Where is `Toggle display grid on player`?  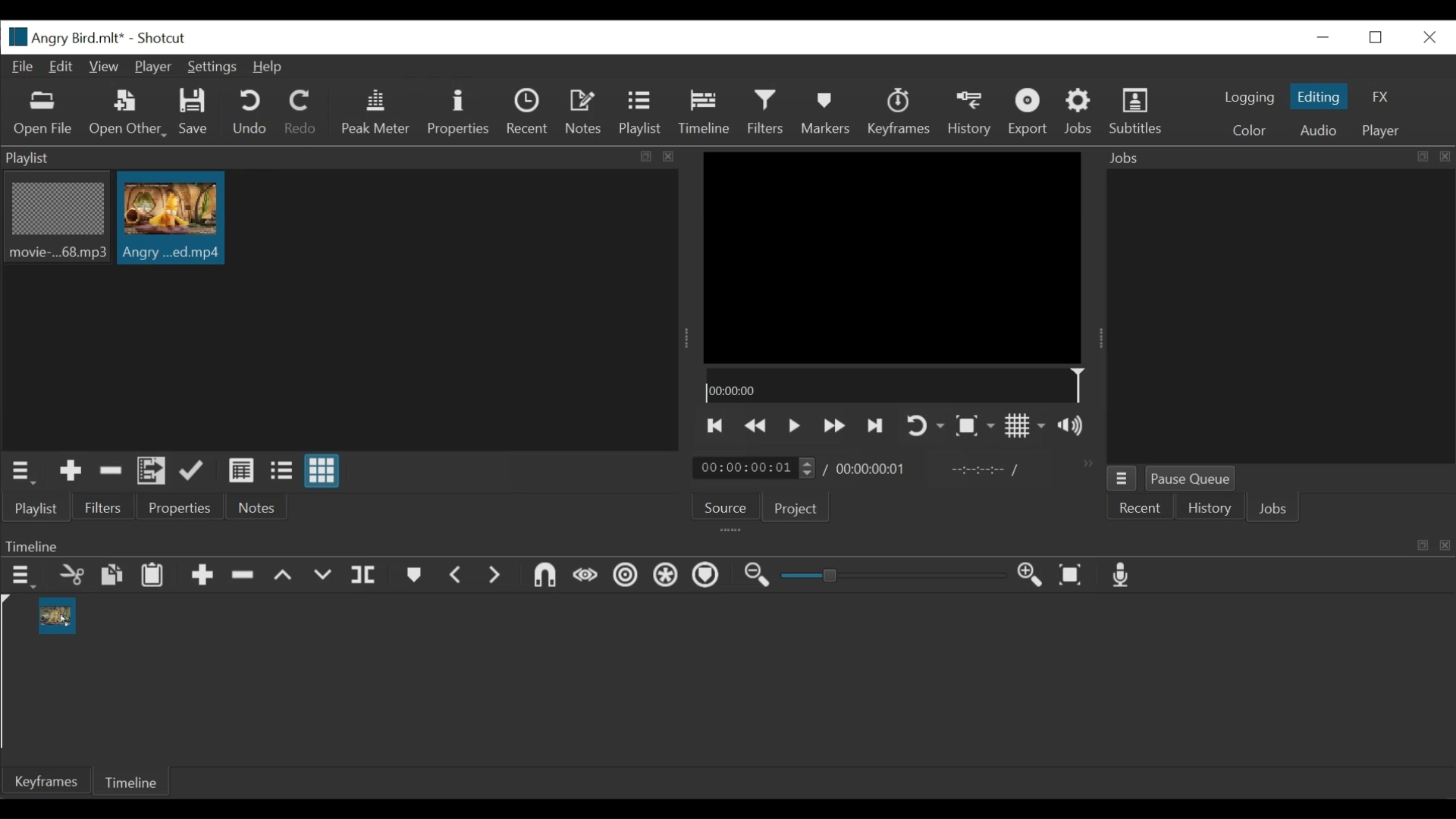 Toggle display grid on player is located at coordinates (1027, 427).